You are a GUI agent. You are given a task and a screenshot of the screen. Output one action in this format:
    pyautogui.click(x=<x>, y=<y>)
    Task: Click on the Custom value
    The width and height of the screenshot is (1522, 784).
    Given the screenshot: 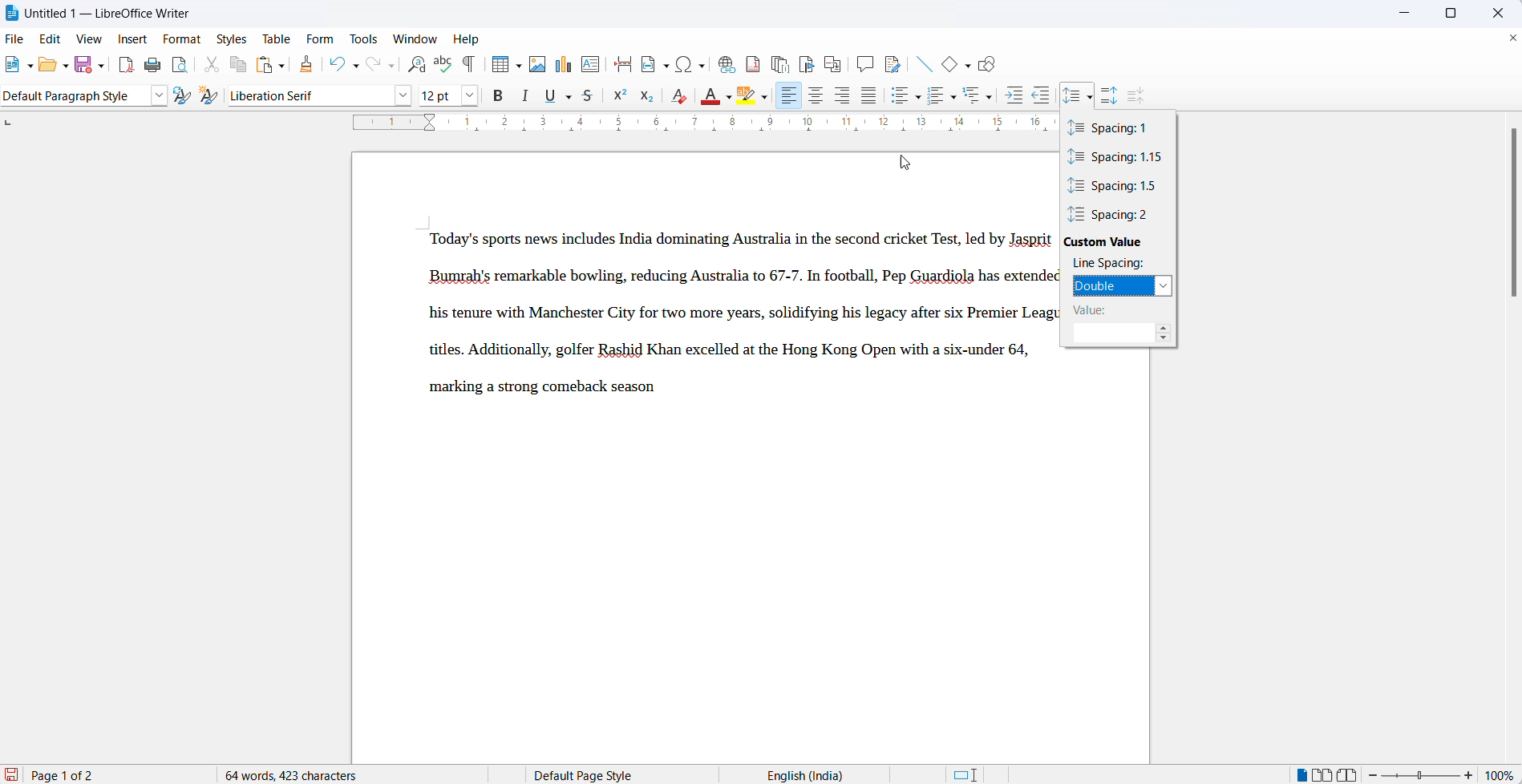 What is the action you would take?
    pyautogui.click(x=1119, y=242)
    